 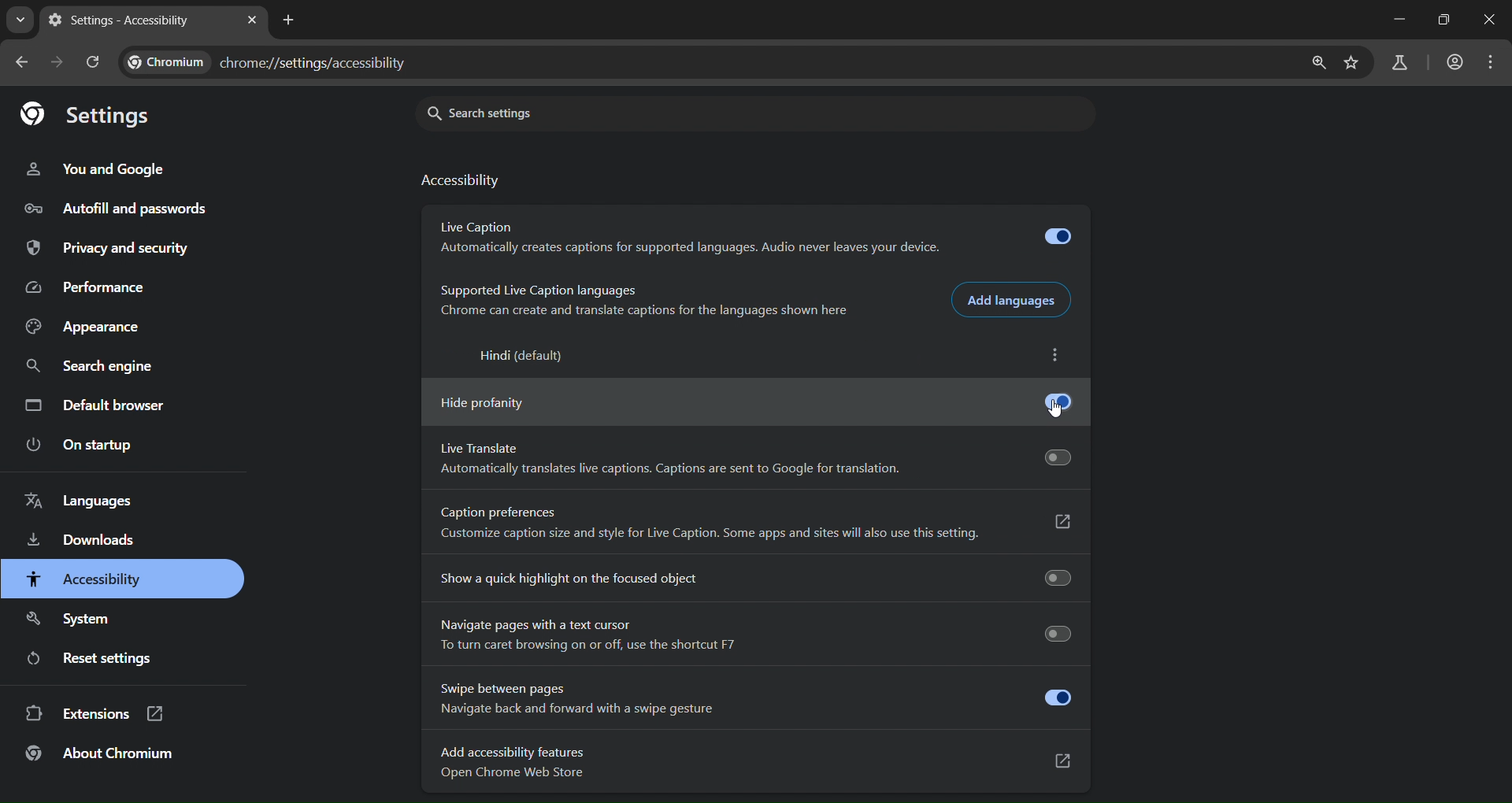 What do you see at coordinates (113, 207) in the screenshot?
I see `autofill and passwords` at bounding box center [113, 207].